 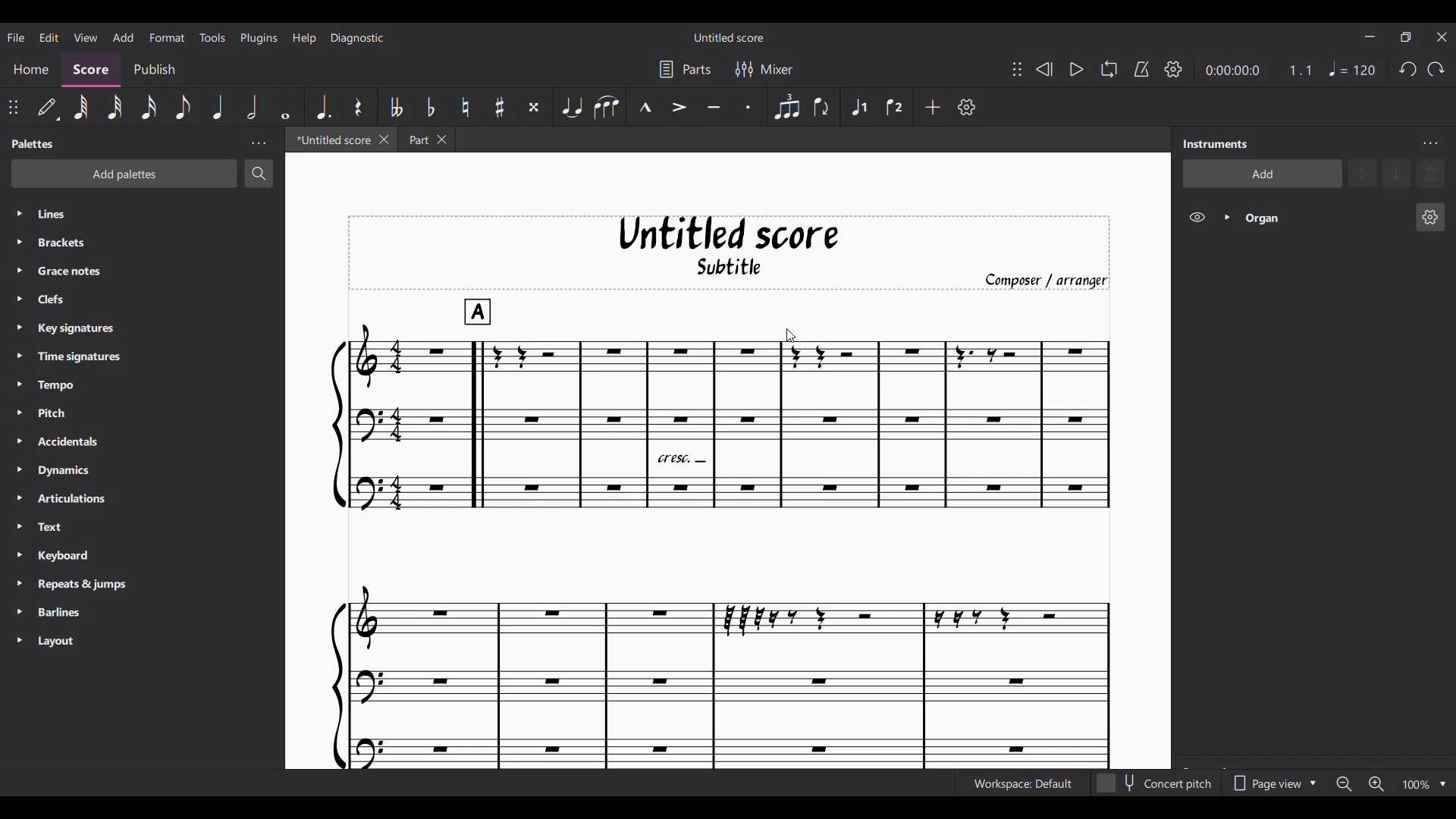 What do you see at coordinates (217, 108) in the screenshot?
I see `Quarter note` at bounding box center [217, 108].